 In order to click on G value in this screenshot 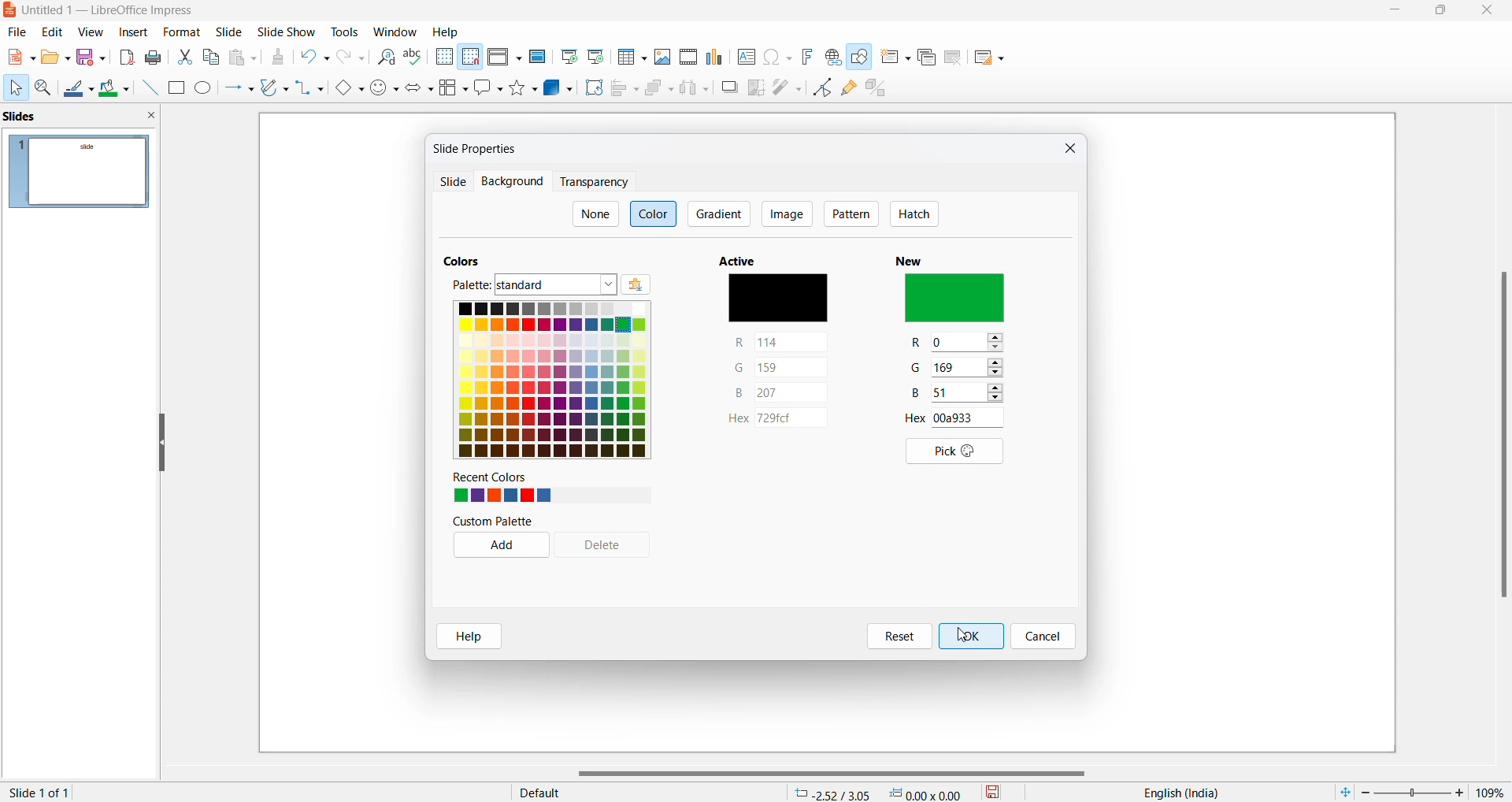, I will do `click(958, 367)`.